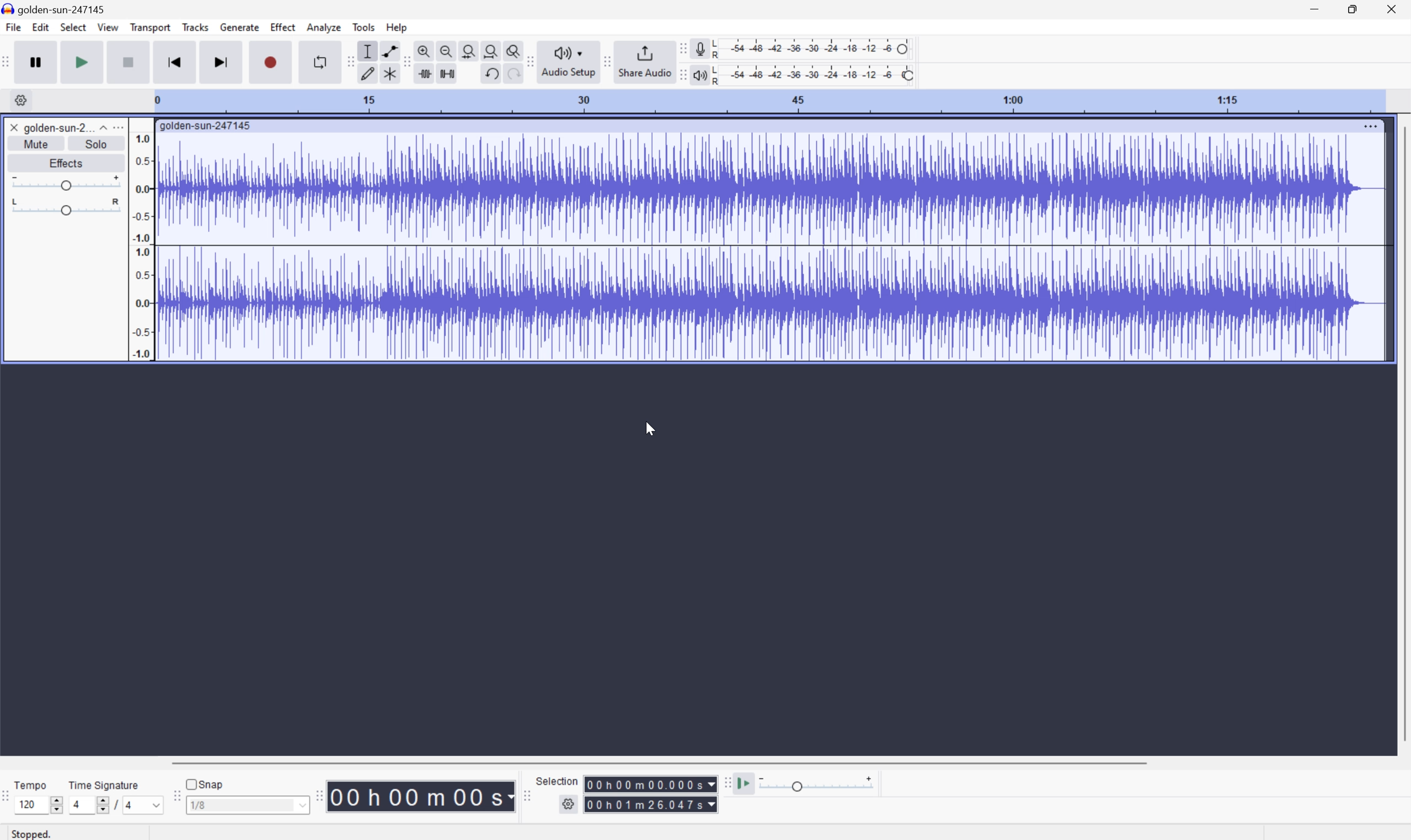  I want to click on Selection, so click(650, 804).